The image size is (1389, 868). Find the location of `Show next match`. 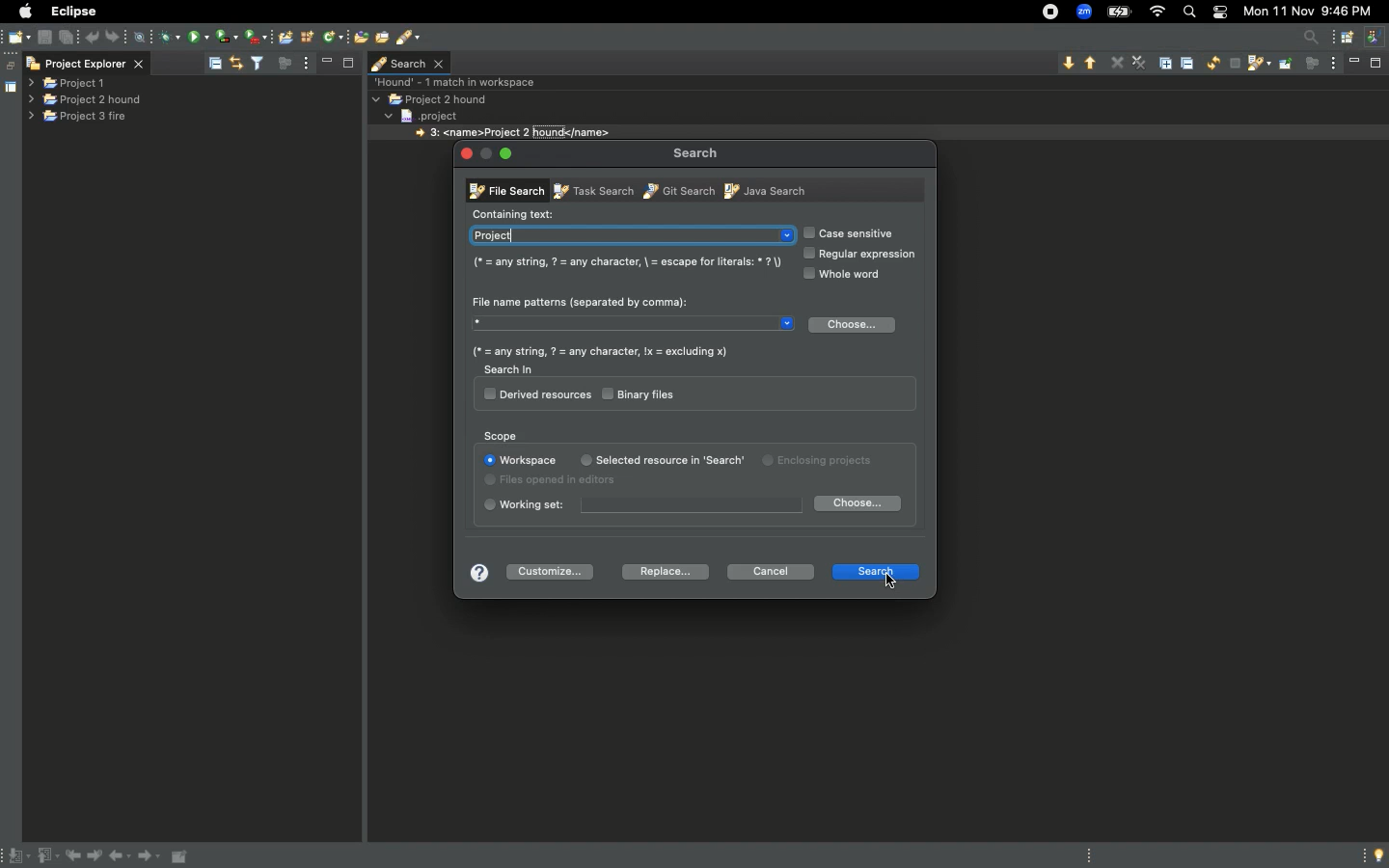

Show next match is located at coordinates (1067, 63).